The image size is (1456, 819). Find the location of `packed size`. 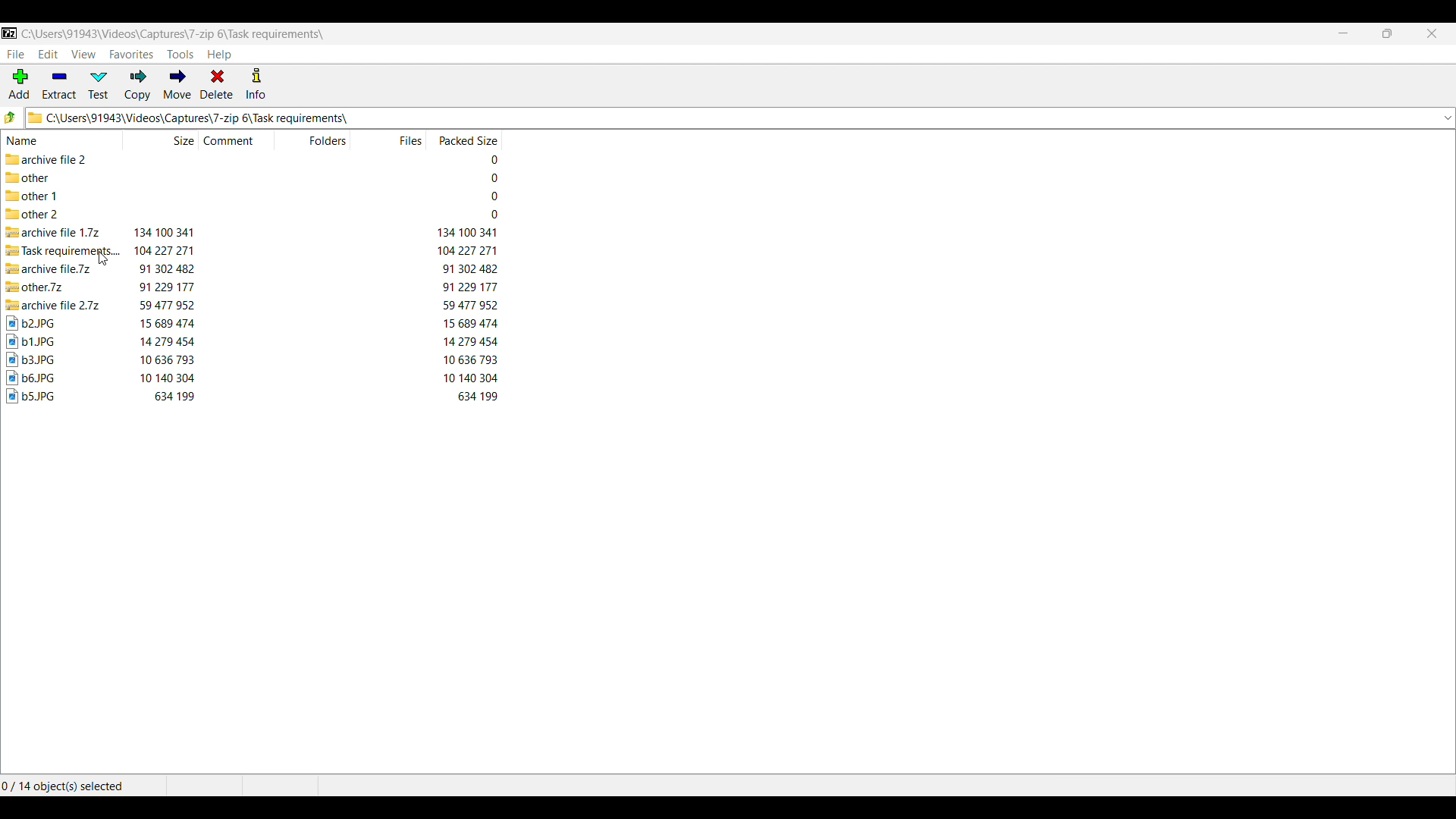

packed size is located at coordinates (463, 177).